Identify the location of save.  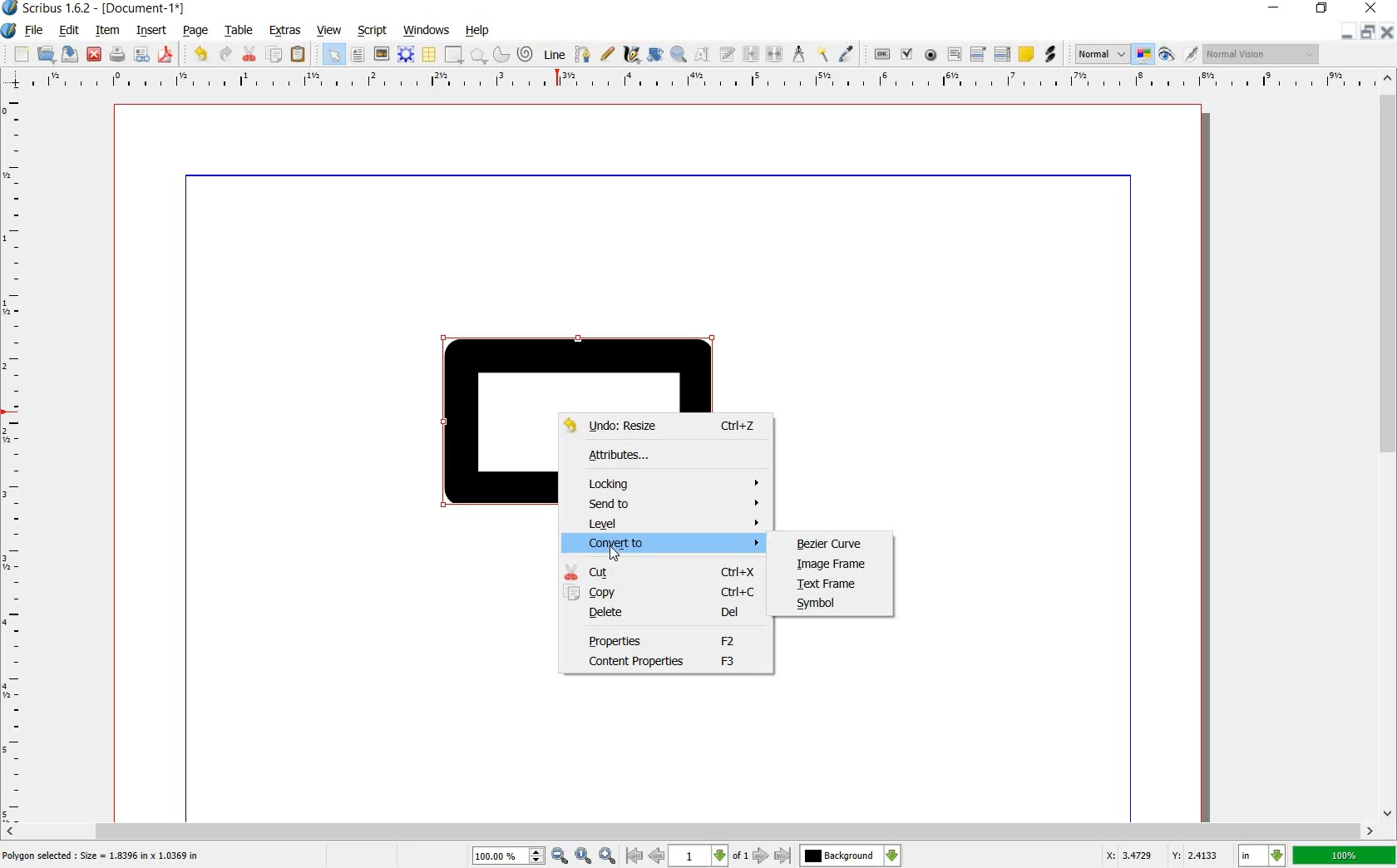
(70, 56).